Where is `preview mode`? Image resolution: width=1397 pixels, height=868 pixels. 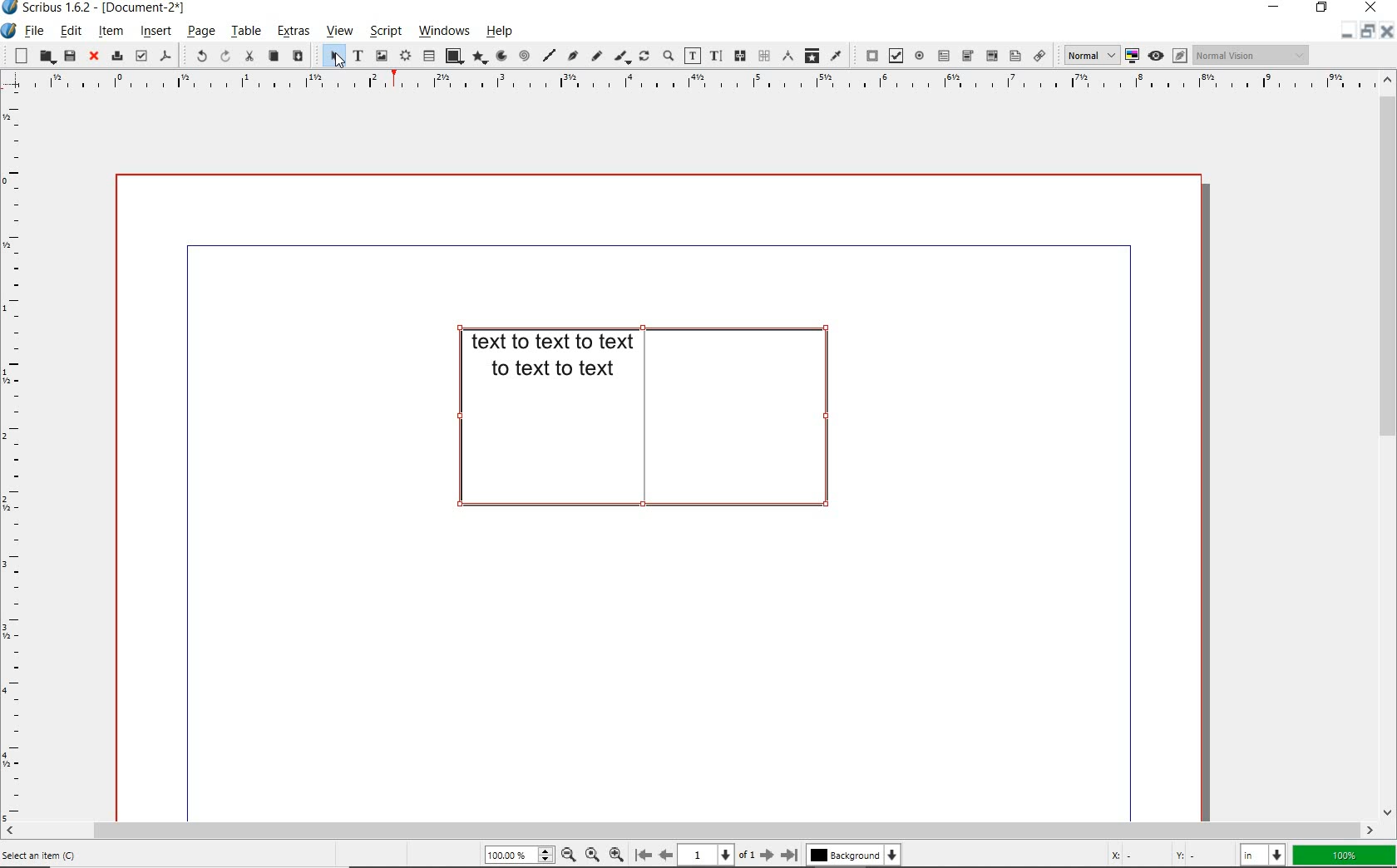
preview mode is located at coordinates (1170, 56).